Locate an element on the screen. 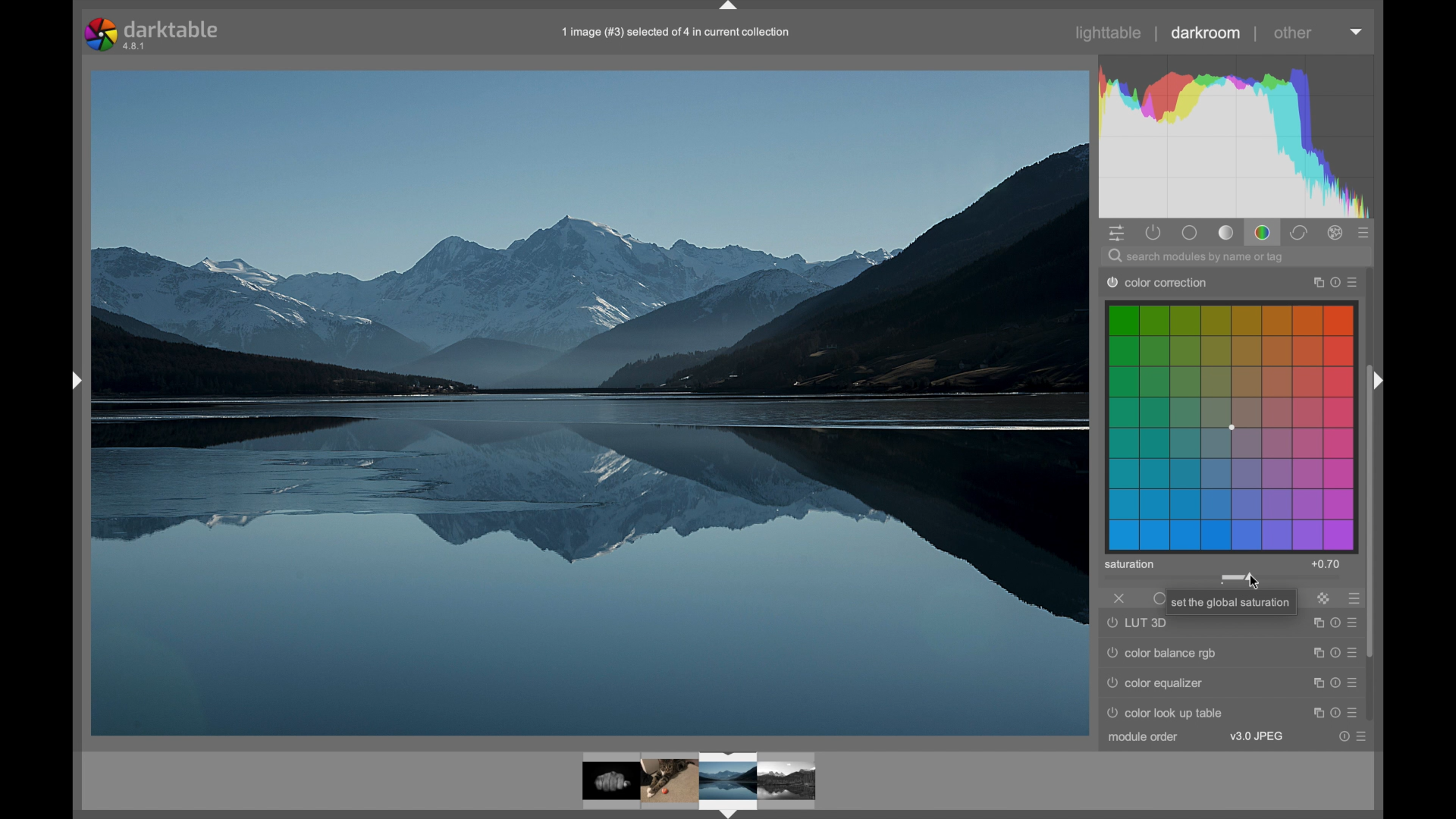 The image size is (1456, 819). lighttable is located at coordinates (1110, 33).